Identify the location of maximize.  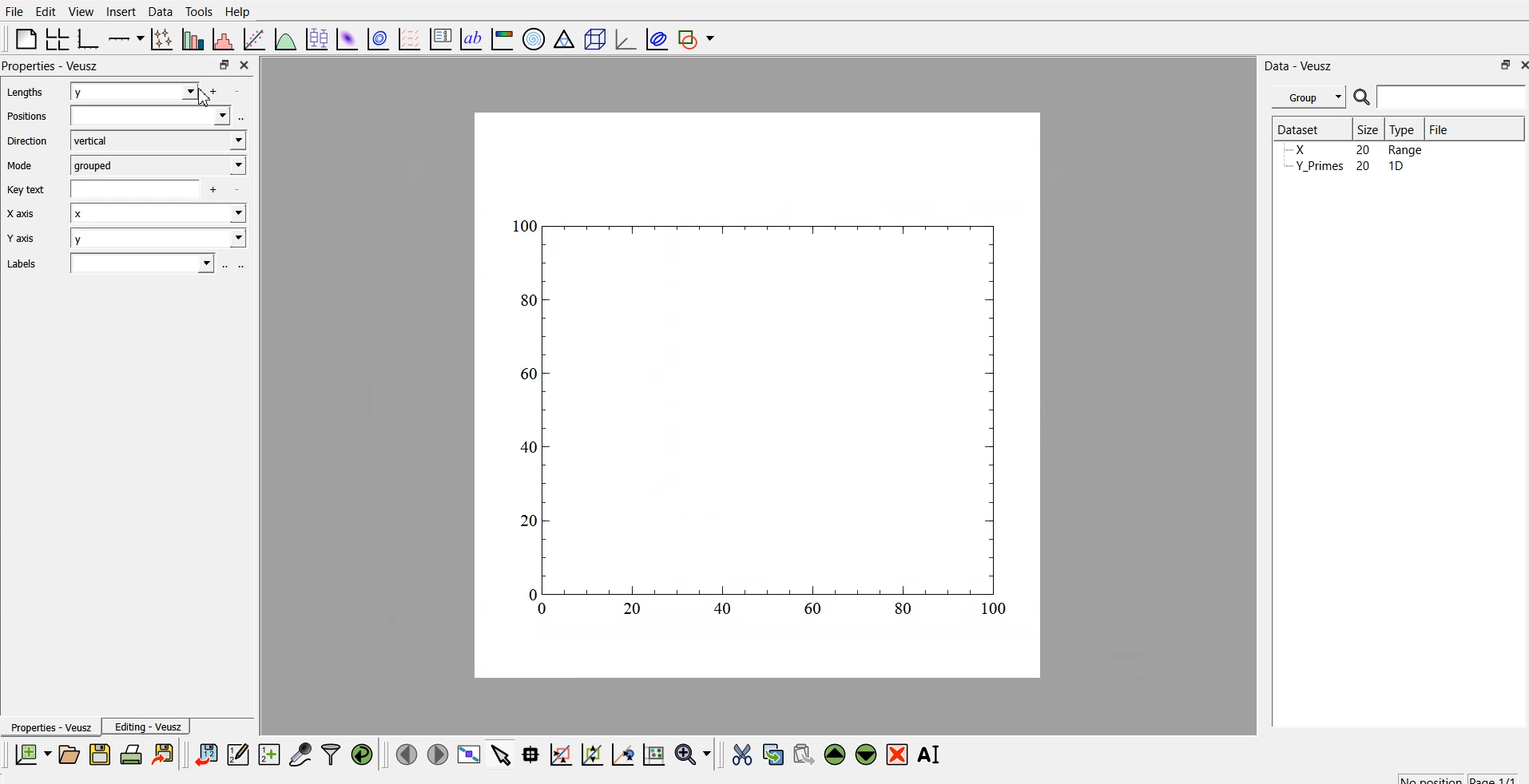
(220, 65).